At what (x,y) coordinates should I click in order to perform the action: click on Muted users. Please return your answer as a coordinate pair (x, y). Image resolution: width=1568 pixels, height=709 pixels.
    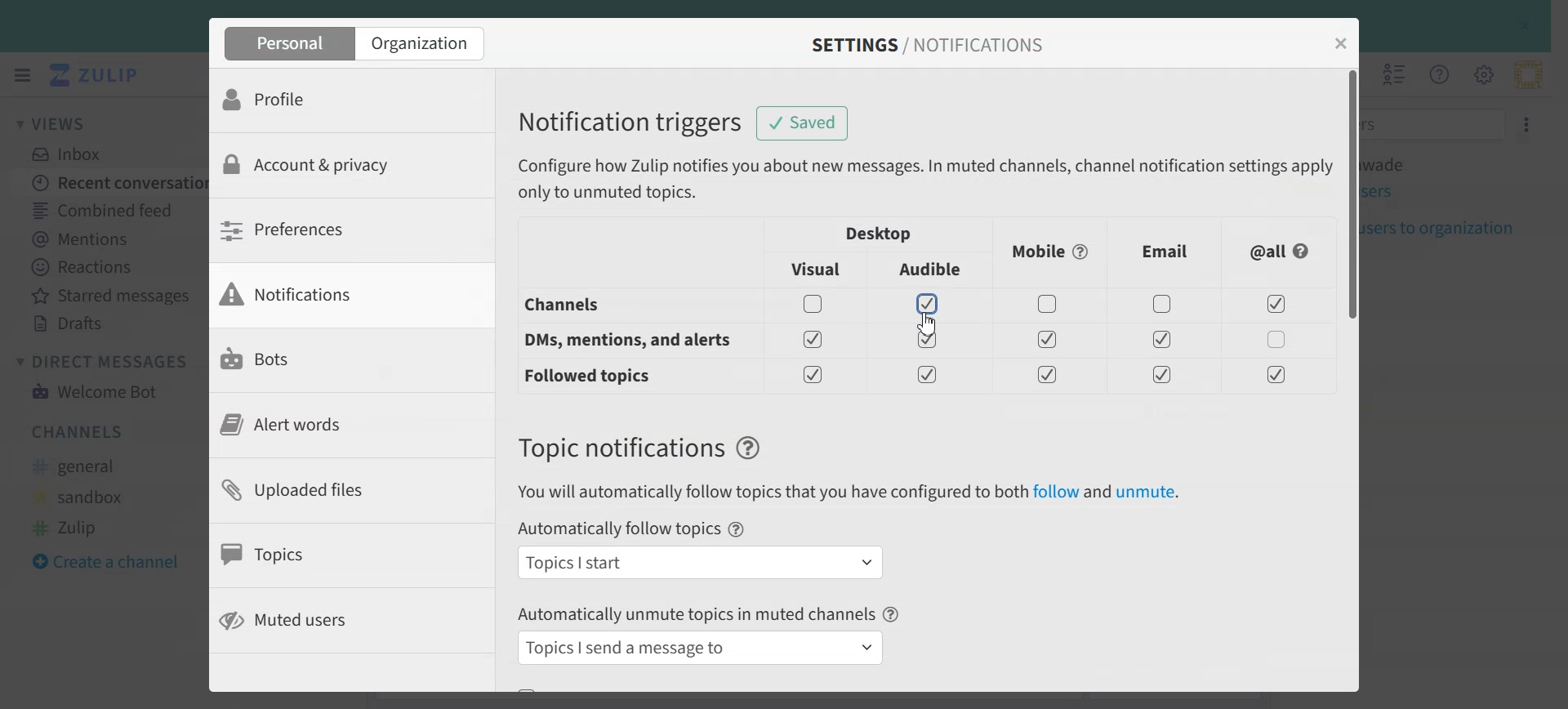
    Looking at the image, I should click on (325, 621).